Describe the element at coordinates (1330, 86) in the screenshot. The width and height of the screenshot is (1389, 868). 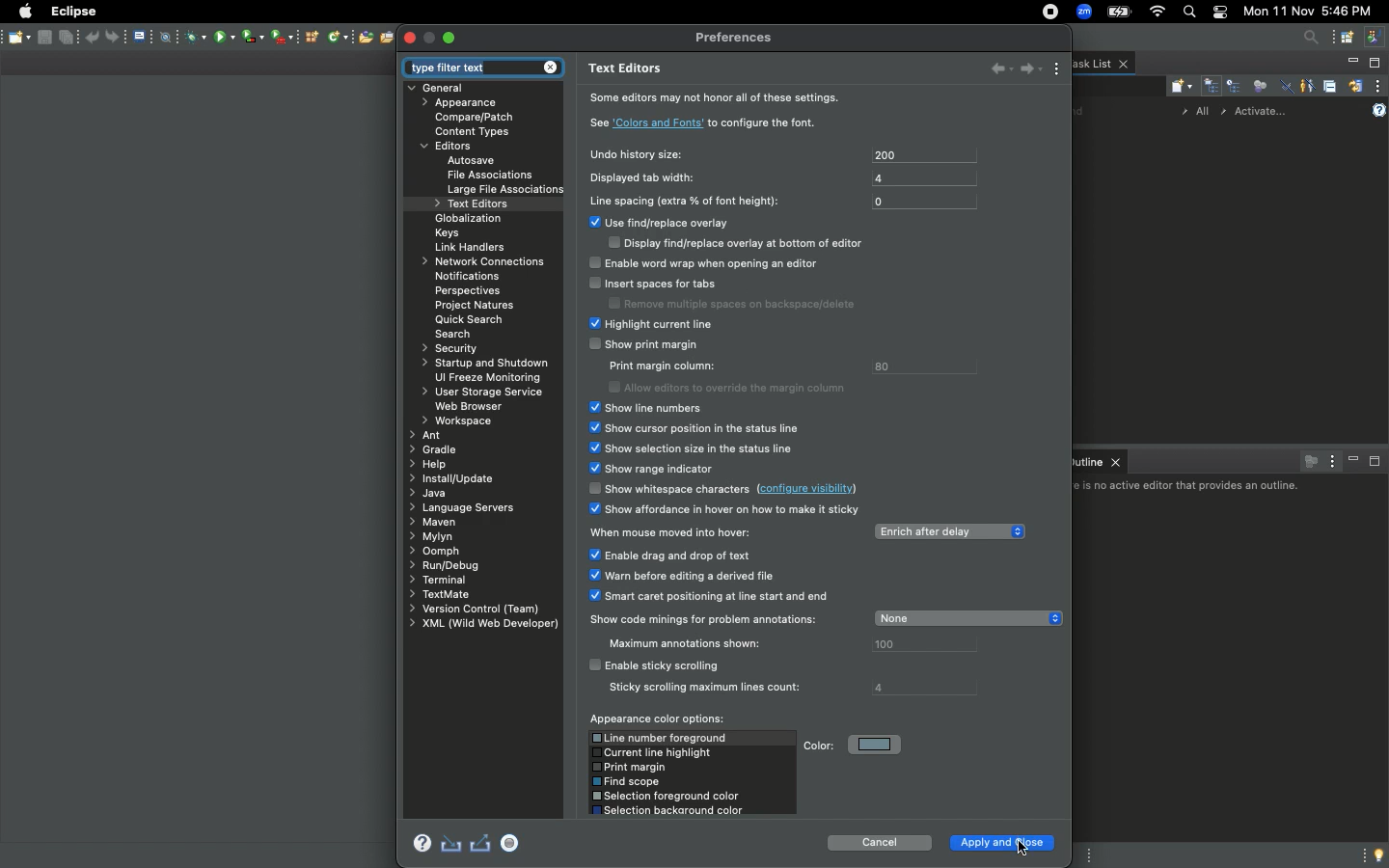
I see `Collapse all` at that location.